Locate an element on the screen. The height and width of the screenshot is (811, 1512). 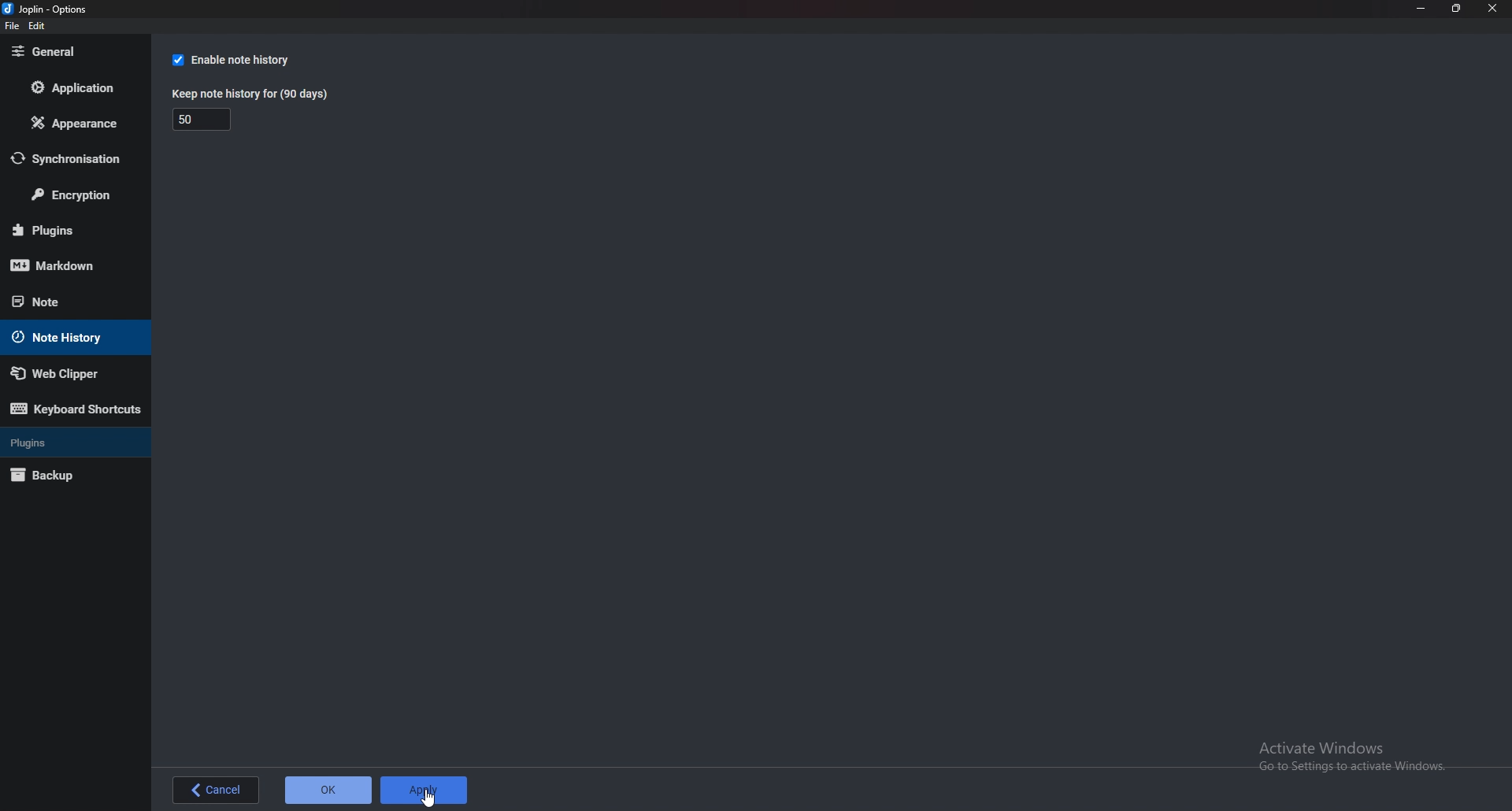
Joplin - Options is located at coordinates (49, 9).